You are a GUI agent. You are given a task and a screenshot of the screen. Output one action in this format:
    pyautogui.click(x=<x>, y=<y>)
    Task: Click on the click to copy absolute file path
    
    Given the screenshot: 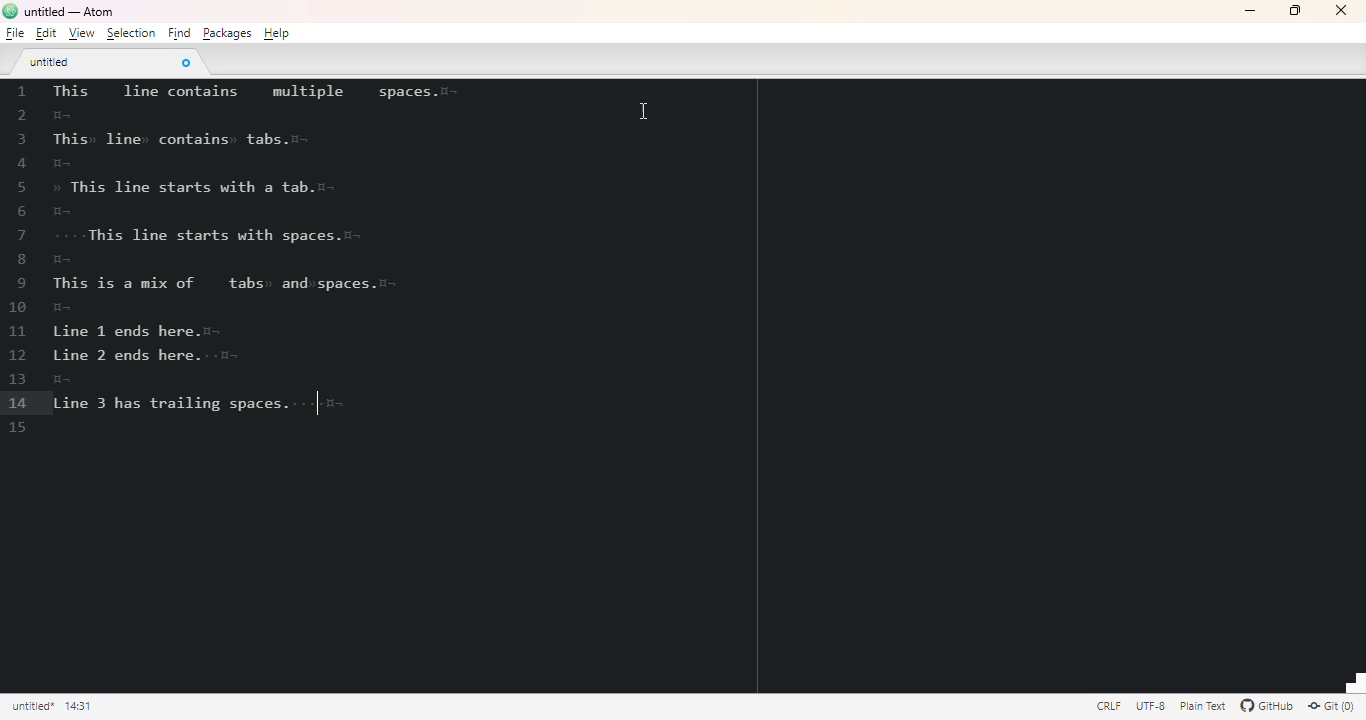 What is the action you would take?
    pyautogui.click(x=32, y=706)
    